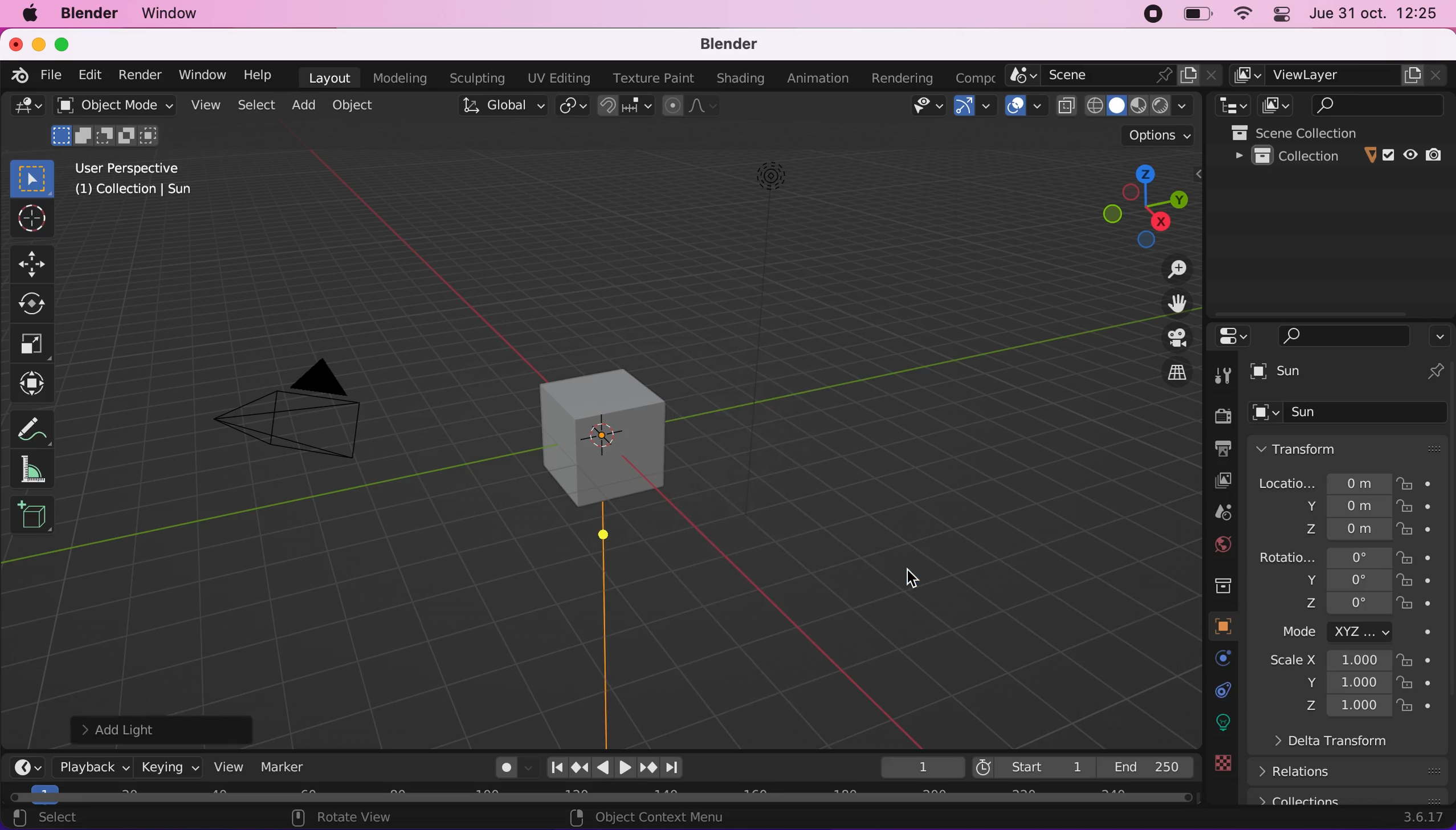  Describe the element at coordinates (63, 45) in the screenshot. I see `maximize` at that location.